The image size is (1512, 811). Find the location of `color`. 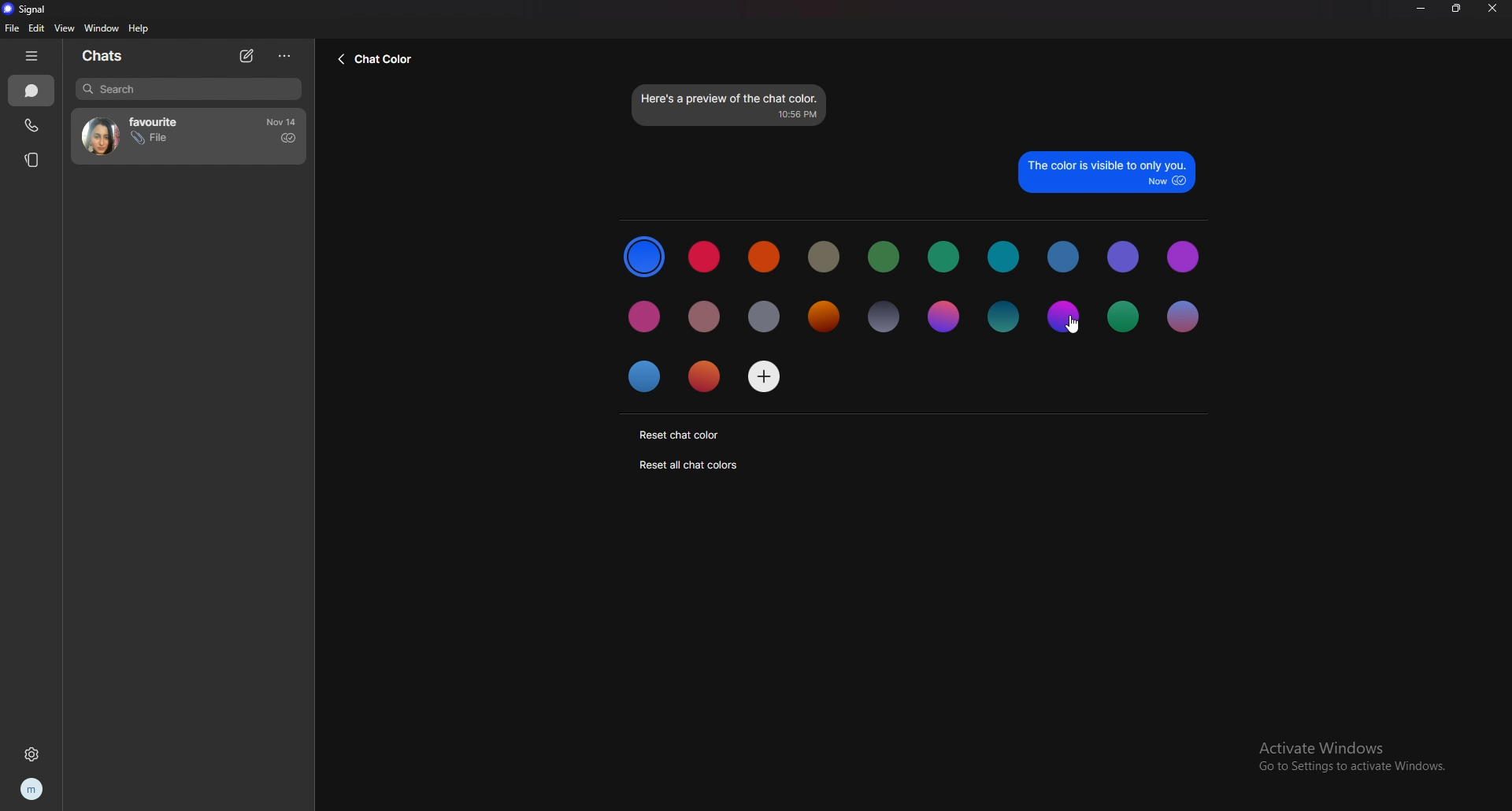

color is located at coordinates (706, 319).